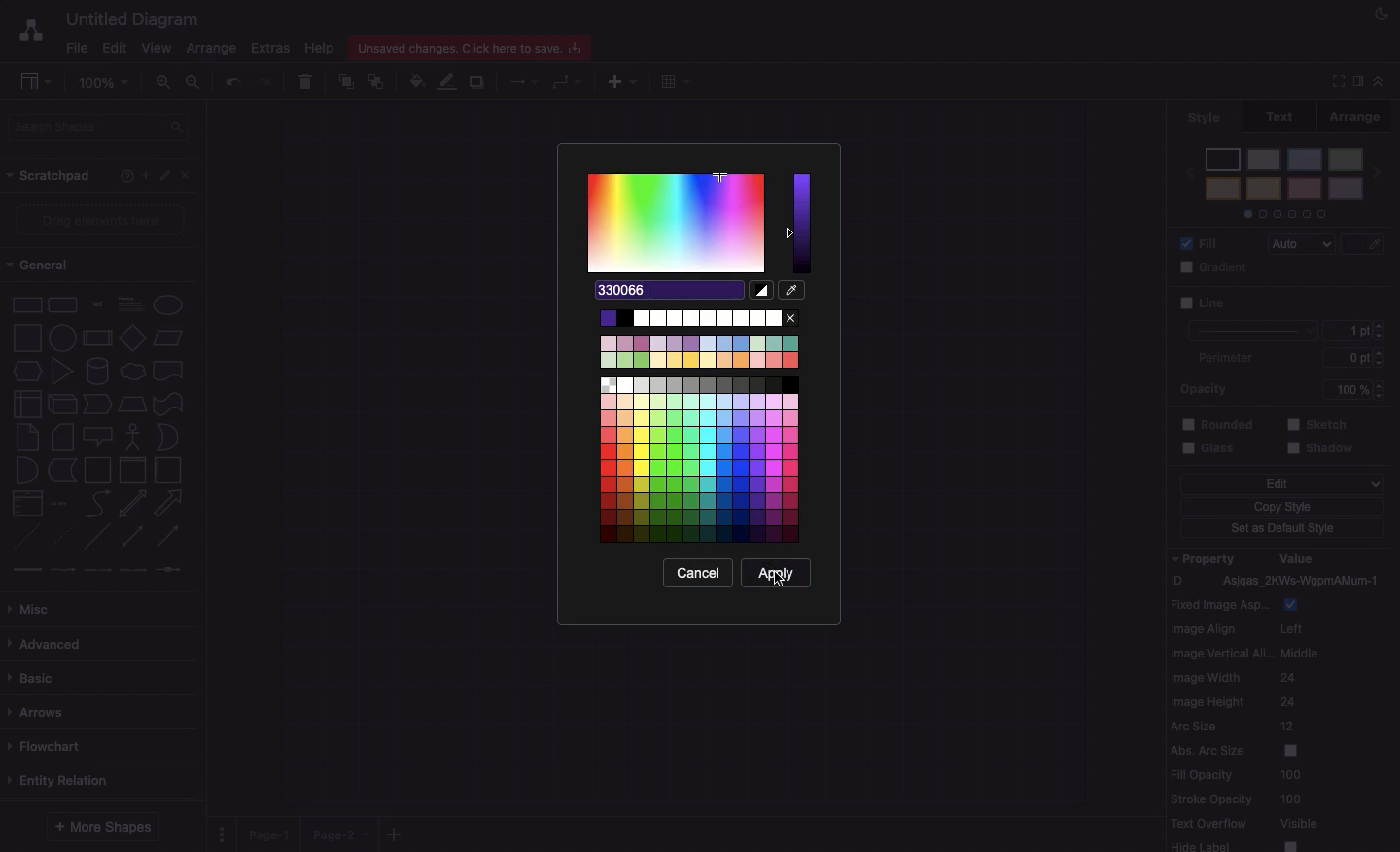 The width and height of the screenshot is (1400, 852). I want to click on Delete, so click(307, 79).